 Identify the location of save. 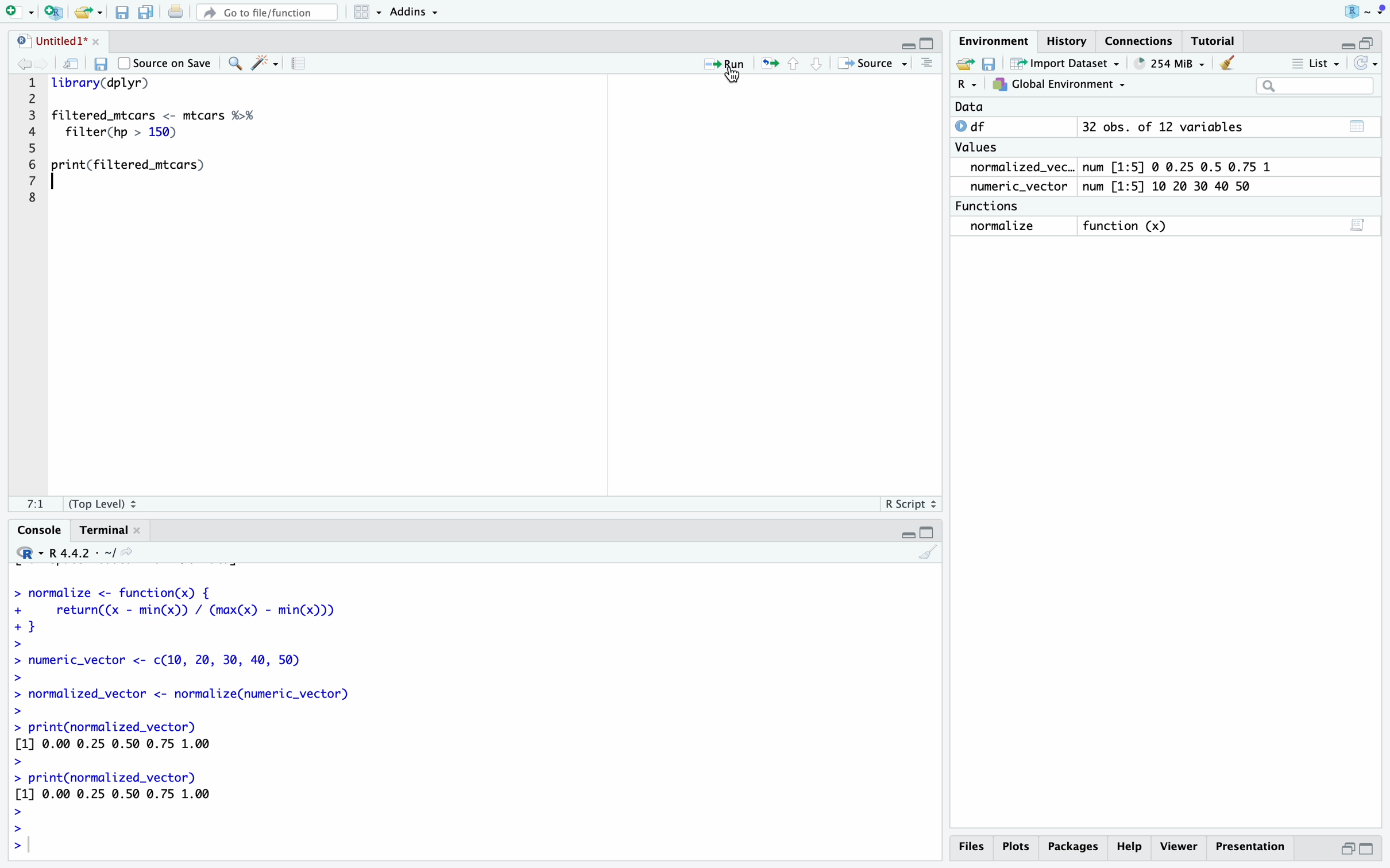
(122, 14).